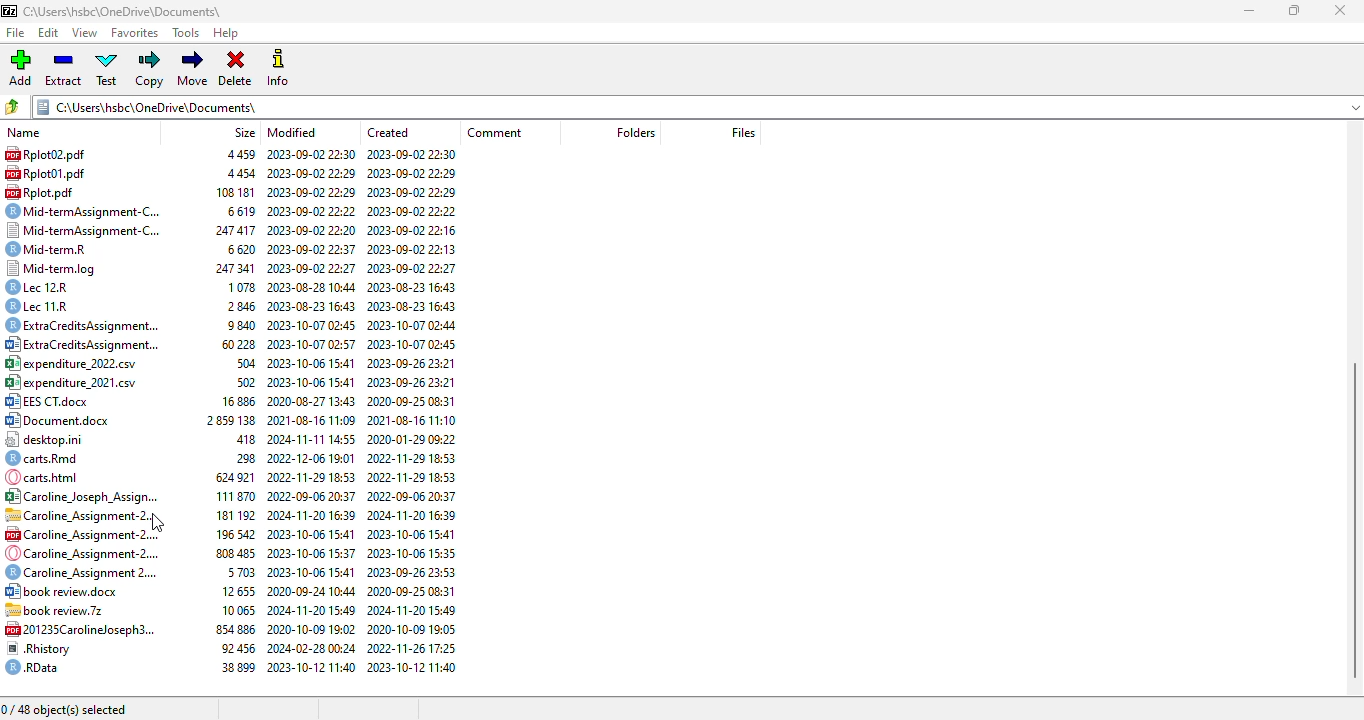  I want to click on EES CT.docx , so click(53, 402).